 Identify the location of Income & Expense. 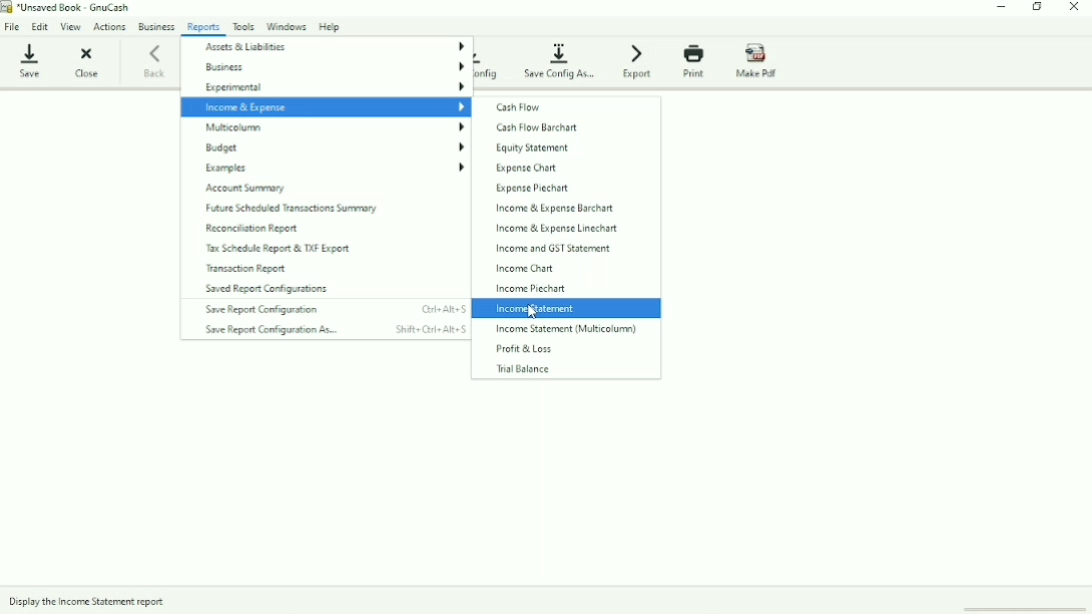
(325, 107).